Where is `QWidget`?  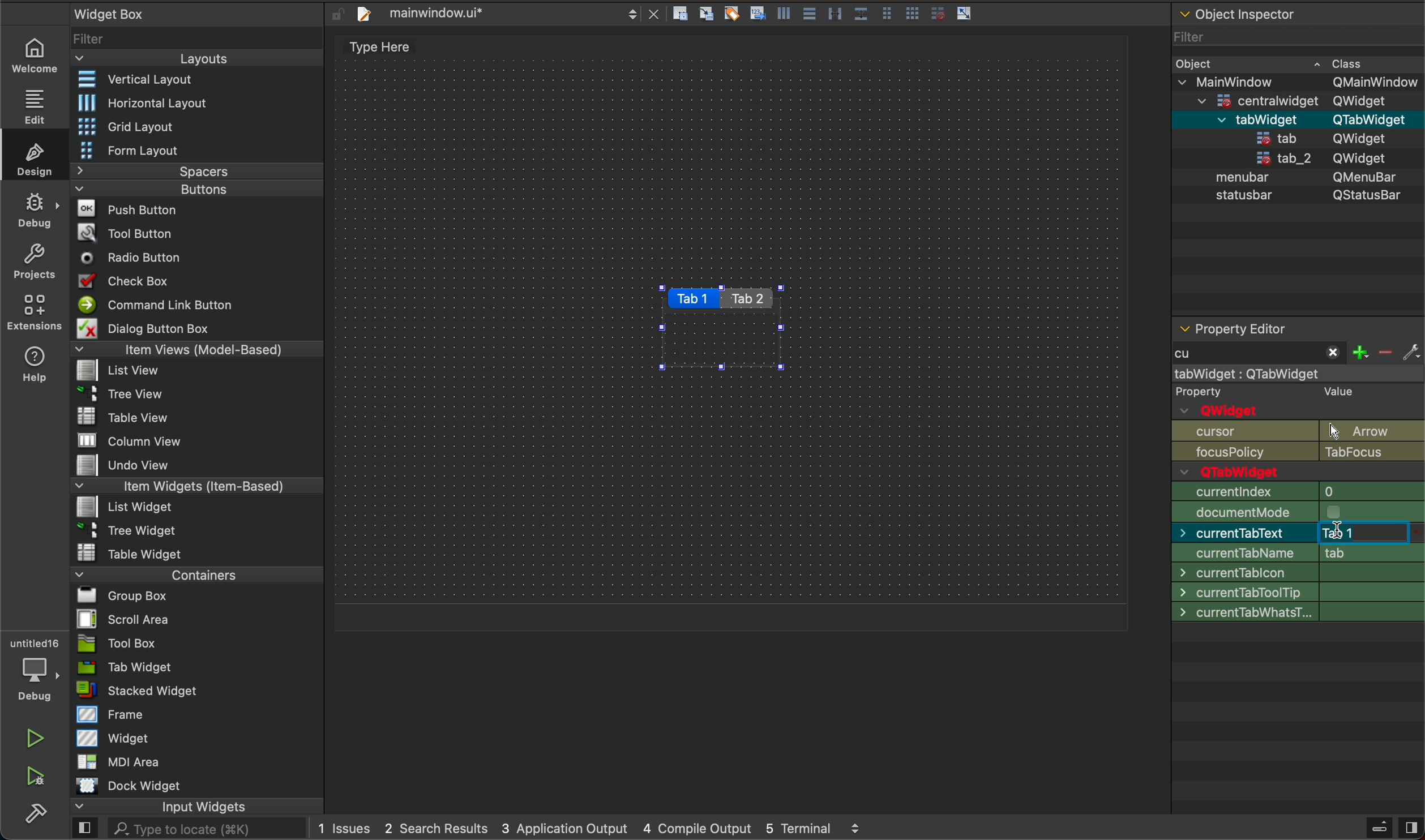 QWidget is located at coordinates (1362, 157).